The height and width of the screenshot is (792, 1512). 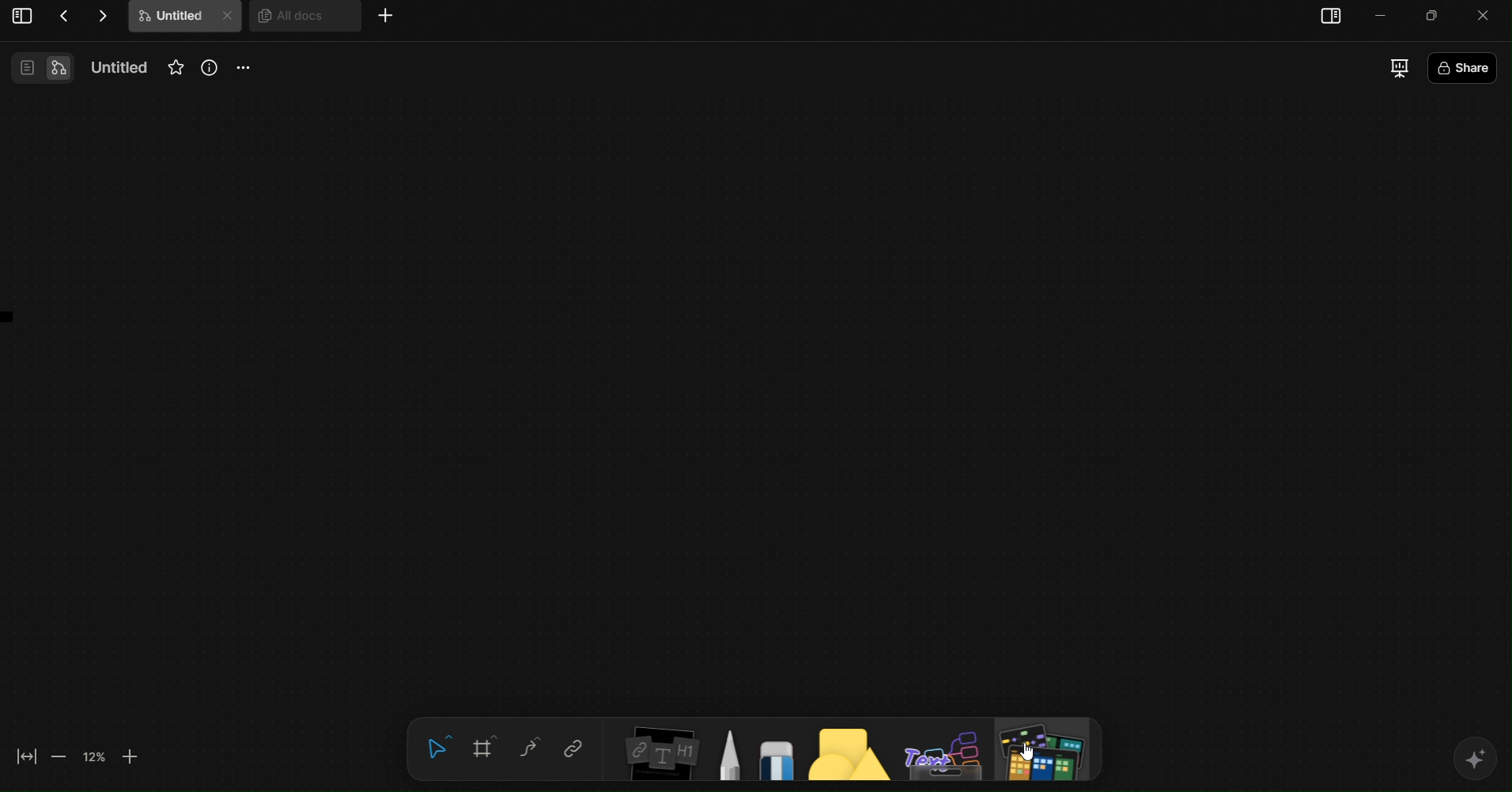 What do you see at coordinates (185, 19) in the screenshot?
I see `Untitle` at bounding box center [185, 19].